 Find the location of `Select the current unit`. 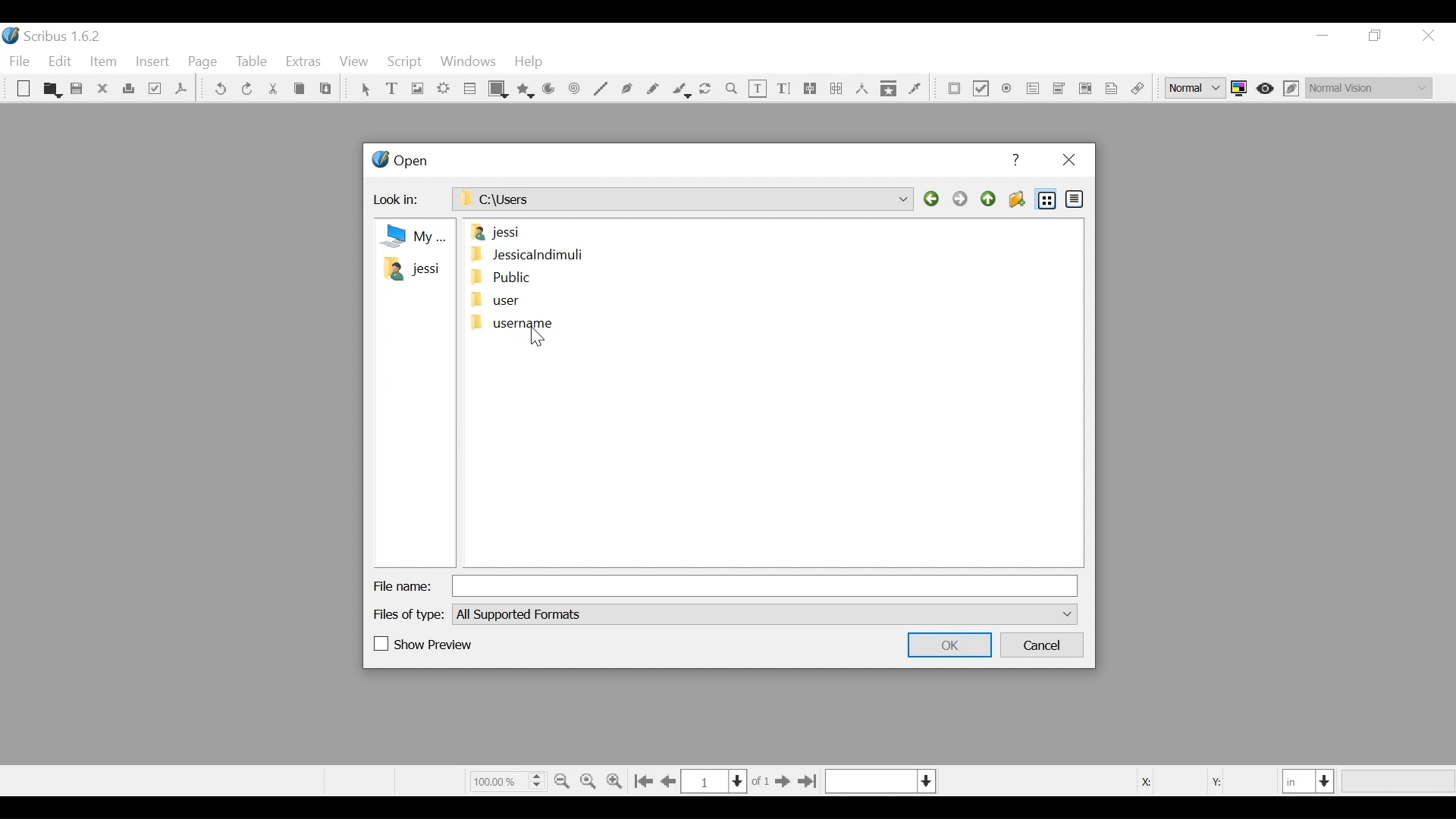

Select the current unit is located at coordinates (1309, 780).